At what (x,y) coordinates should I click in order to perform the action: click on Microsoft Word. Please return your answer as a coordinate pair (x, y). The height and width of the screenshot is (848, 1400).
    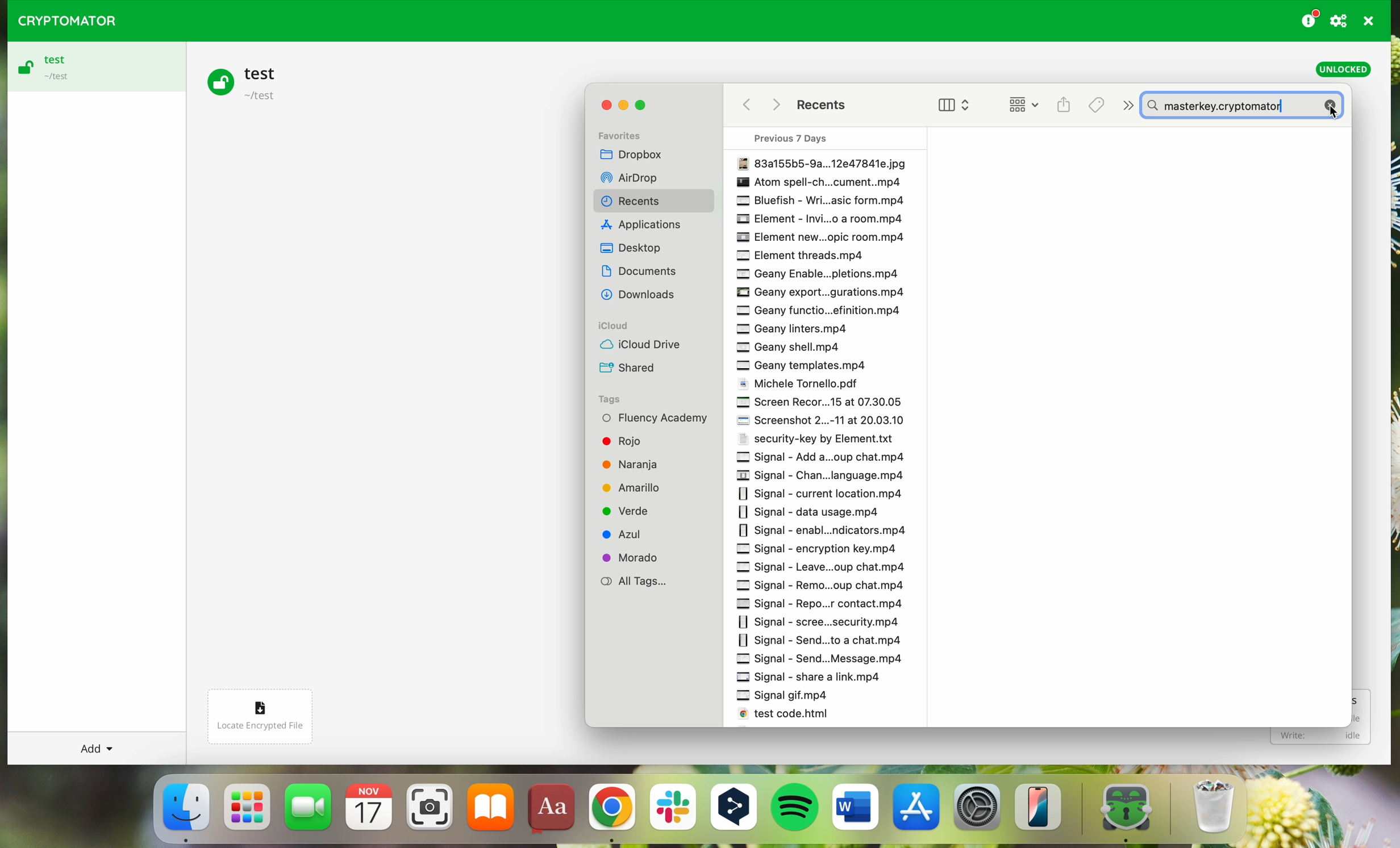
    Looking at the image, I should click on (856, 811).